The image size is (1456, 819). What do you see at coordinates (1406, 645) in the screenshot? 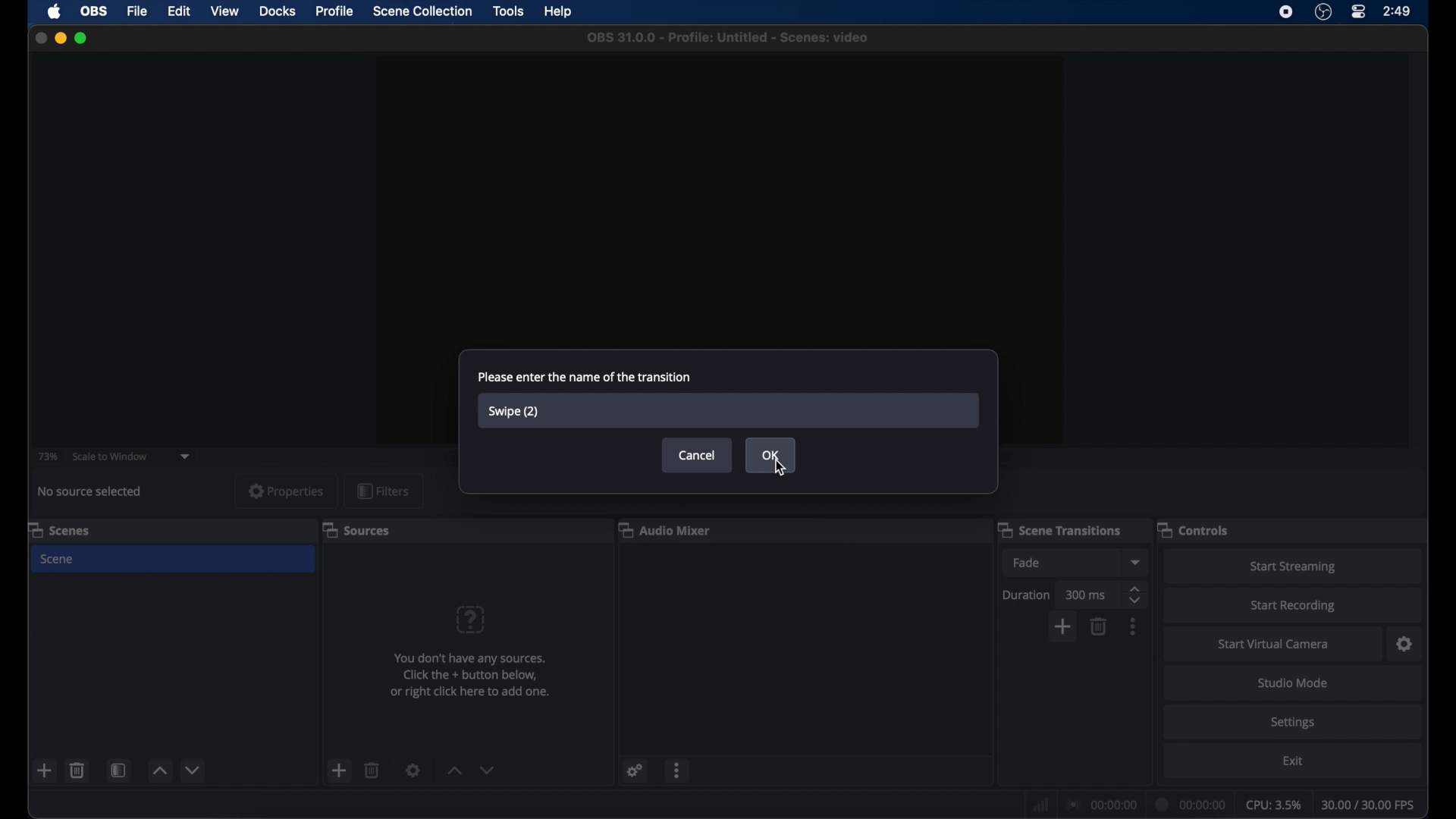
I see `settings` at bounding box center [1406, 645].